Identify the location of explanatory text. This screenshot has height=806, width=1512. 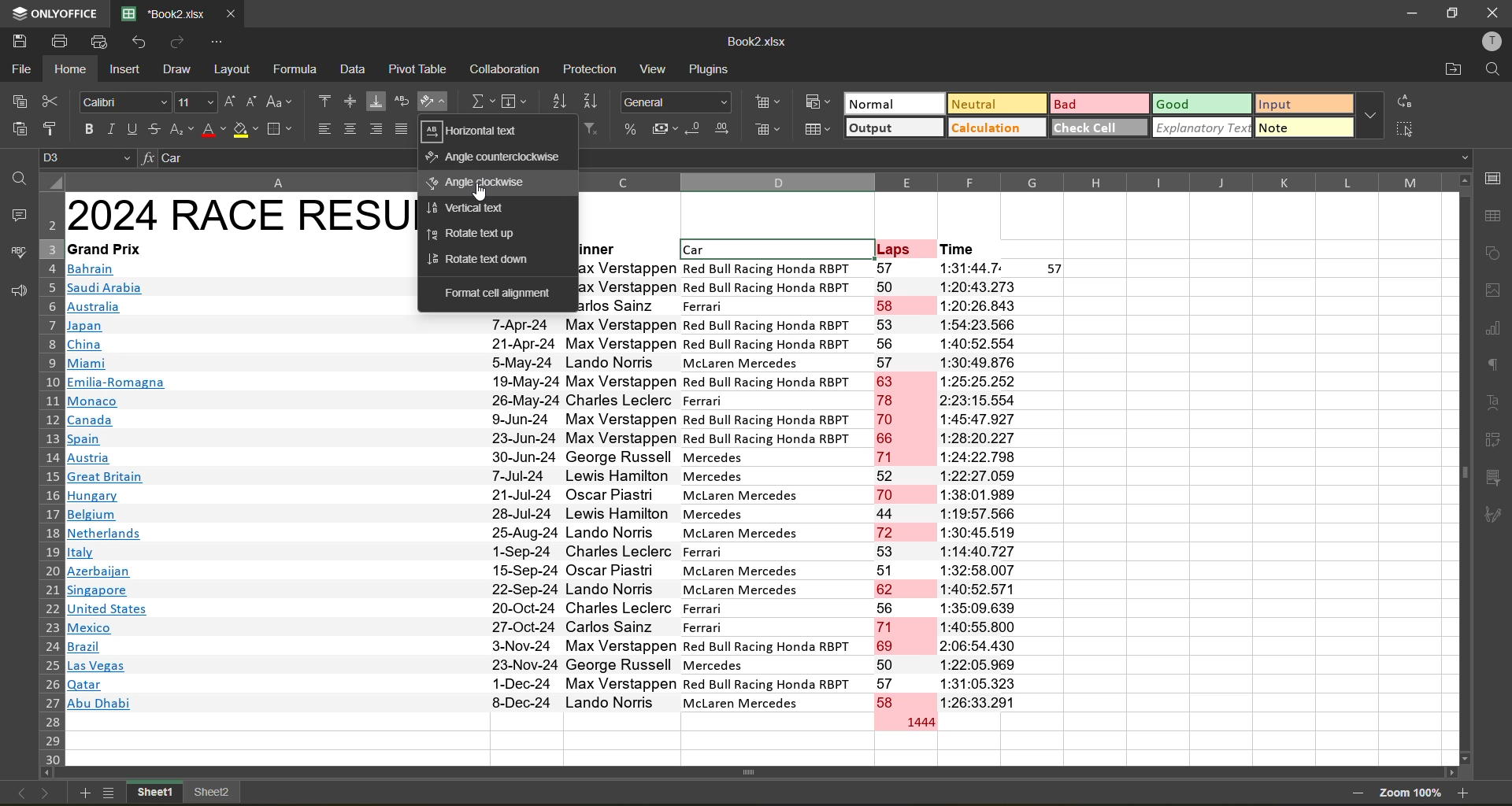
(1203, 130).